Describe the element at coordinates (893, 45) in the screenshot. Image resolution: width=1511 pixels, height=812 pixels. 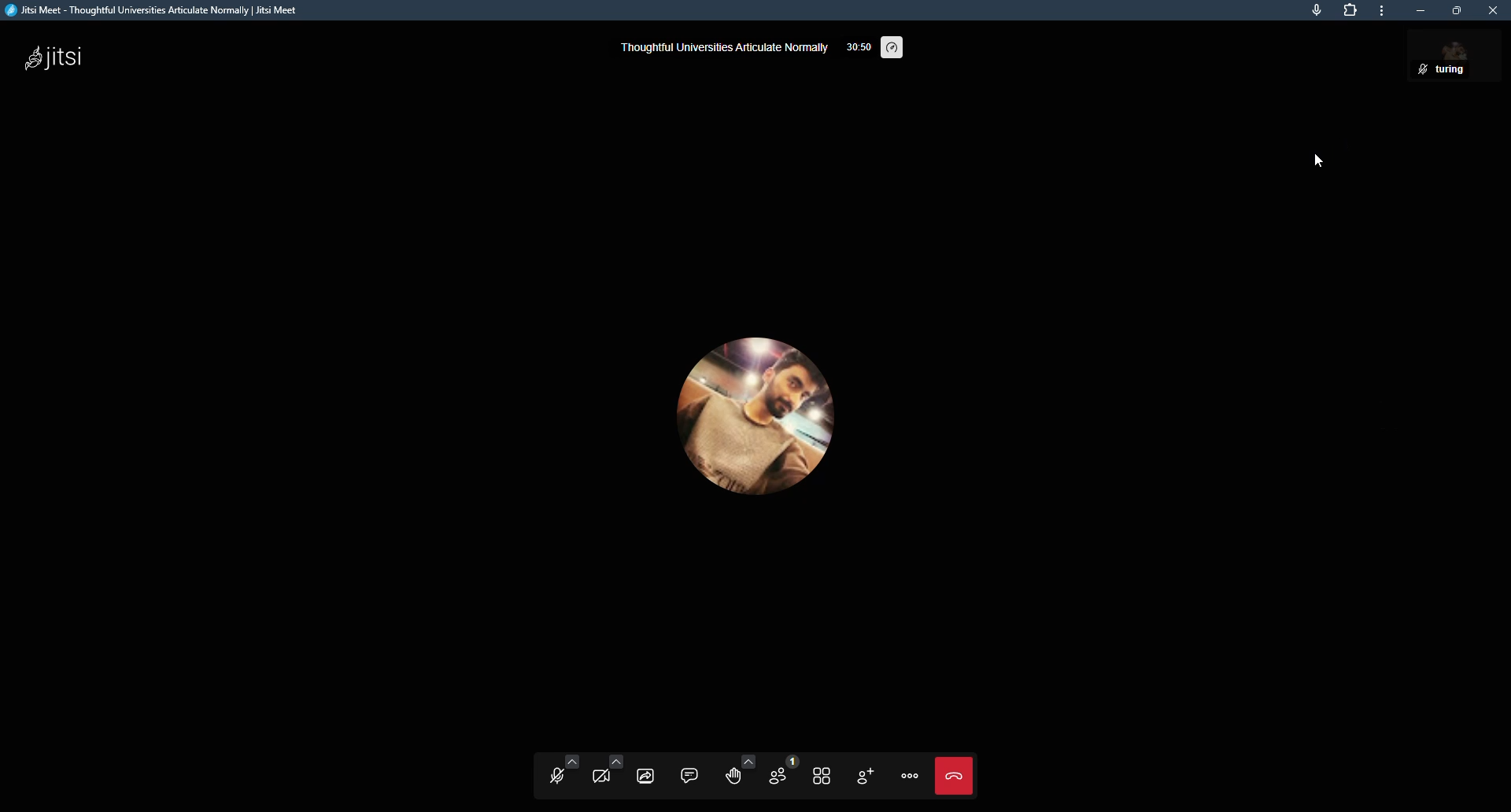
I see `performance settings` at that location.